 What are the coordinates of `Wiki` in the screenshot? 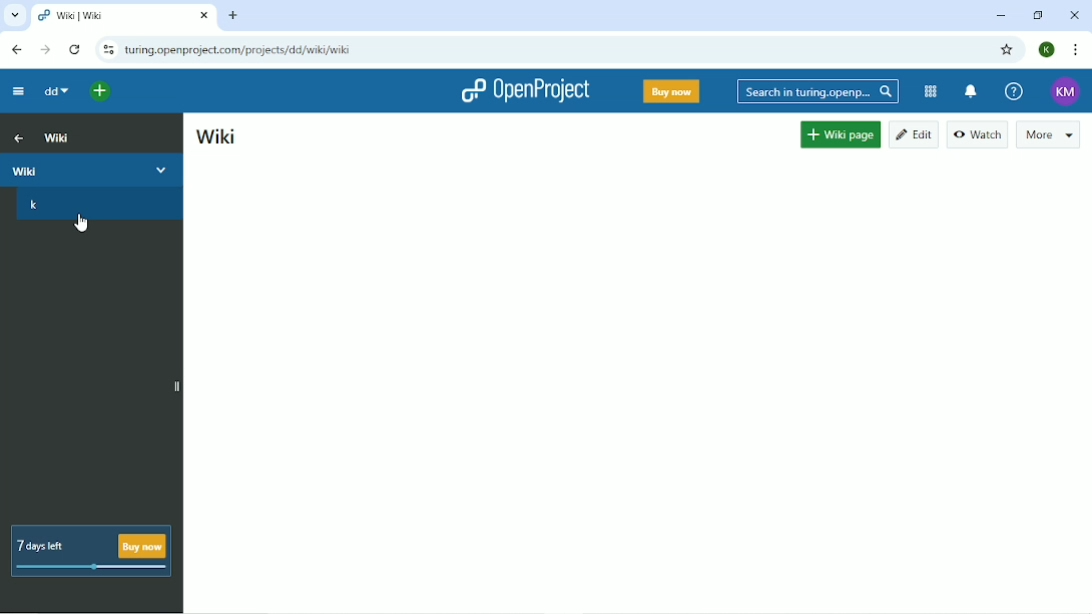 It's located at (58, 137).